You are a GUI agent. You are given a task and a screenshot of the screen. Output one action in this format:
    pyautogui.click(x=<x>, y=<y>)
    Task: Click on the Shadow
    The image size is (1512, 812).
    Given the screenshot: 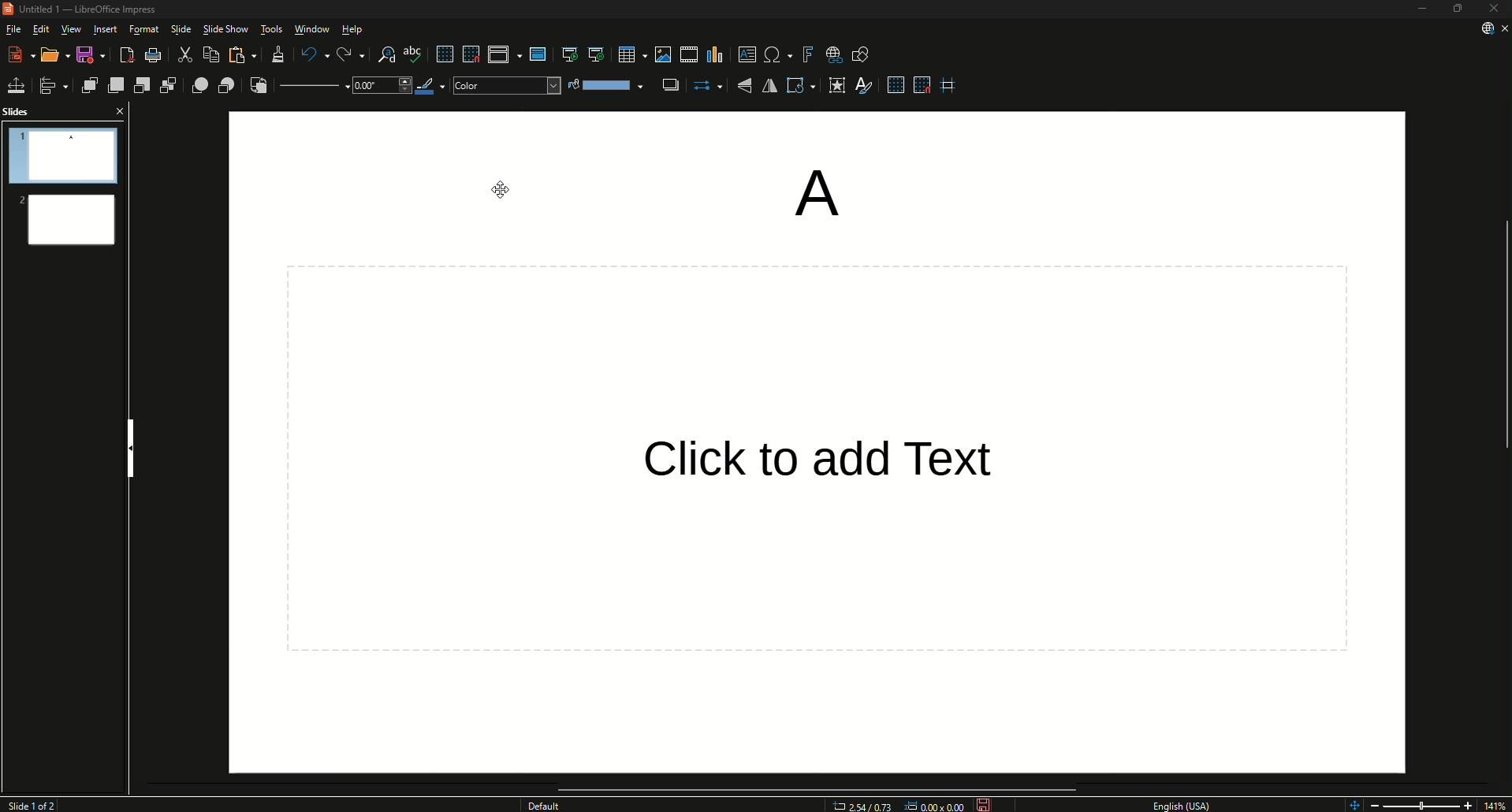 What is the action you would take?
    pyautogui.click(x=670, y=85)
    